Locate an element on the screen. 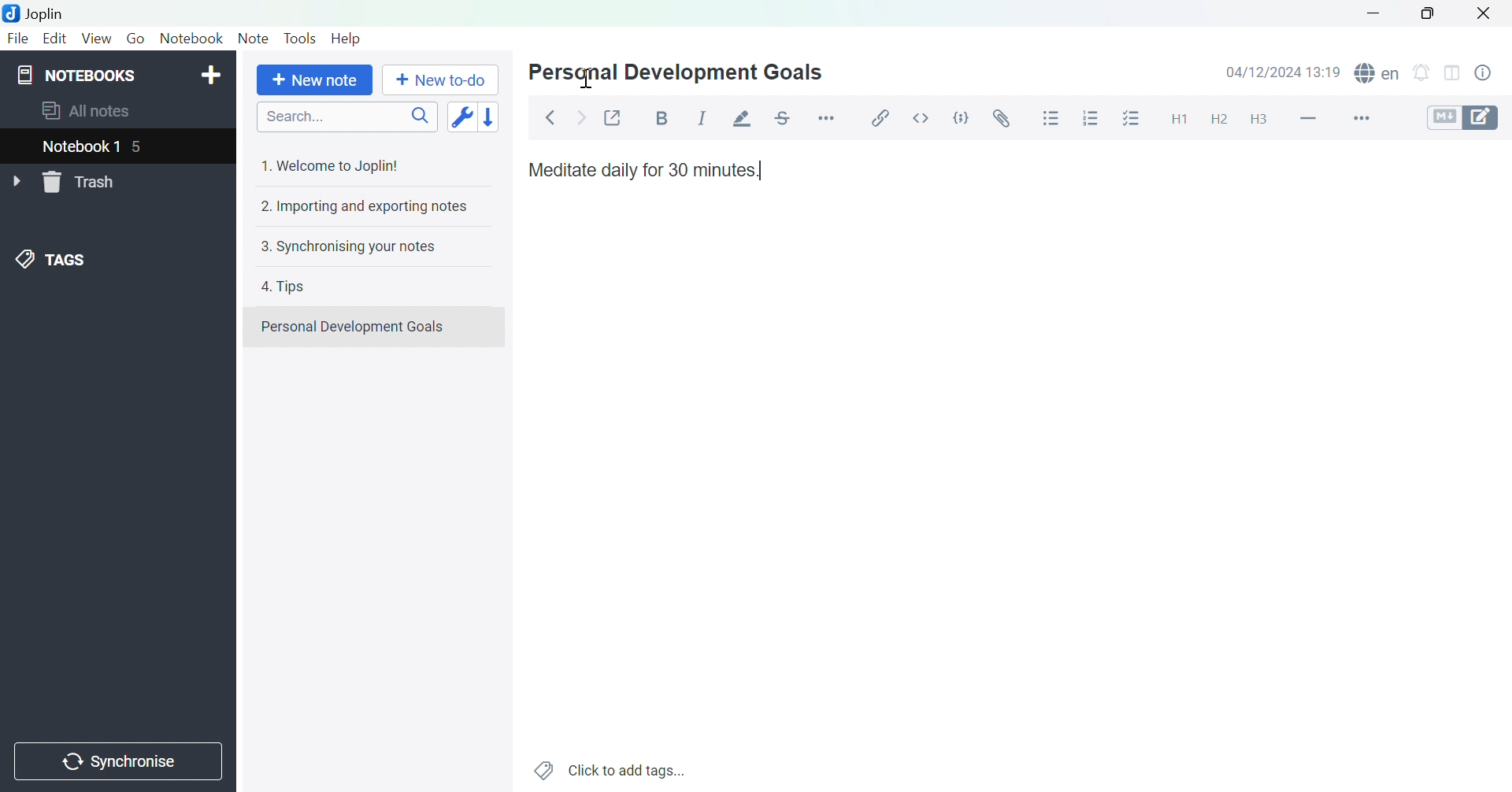 This screenshot has height=792, width=1512. Toggle editor layout is located at coordinates (1452, 76).